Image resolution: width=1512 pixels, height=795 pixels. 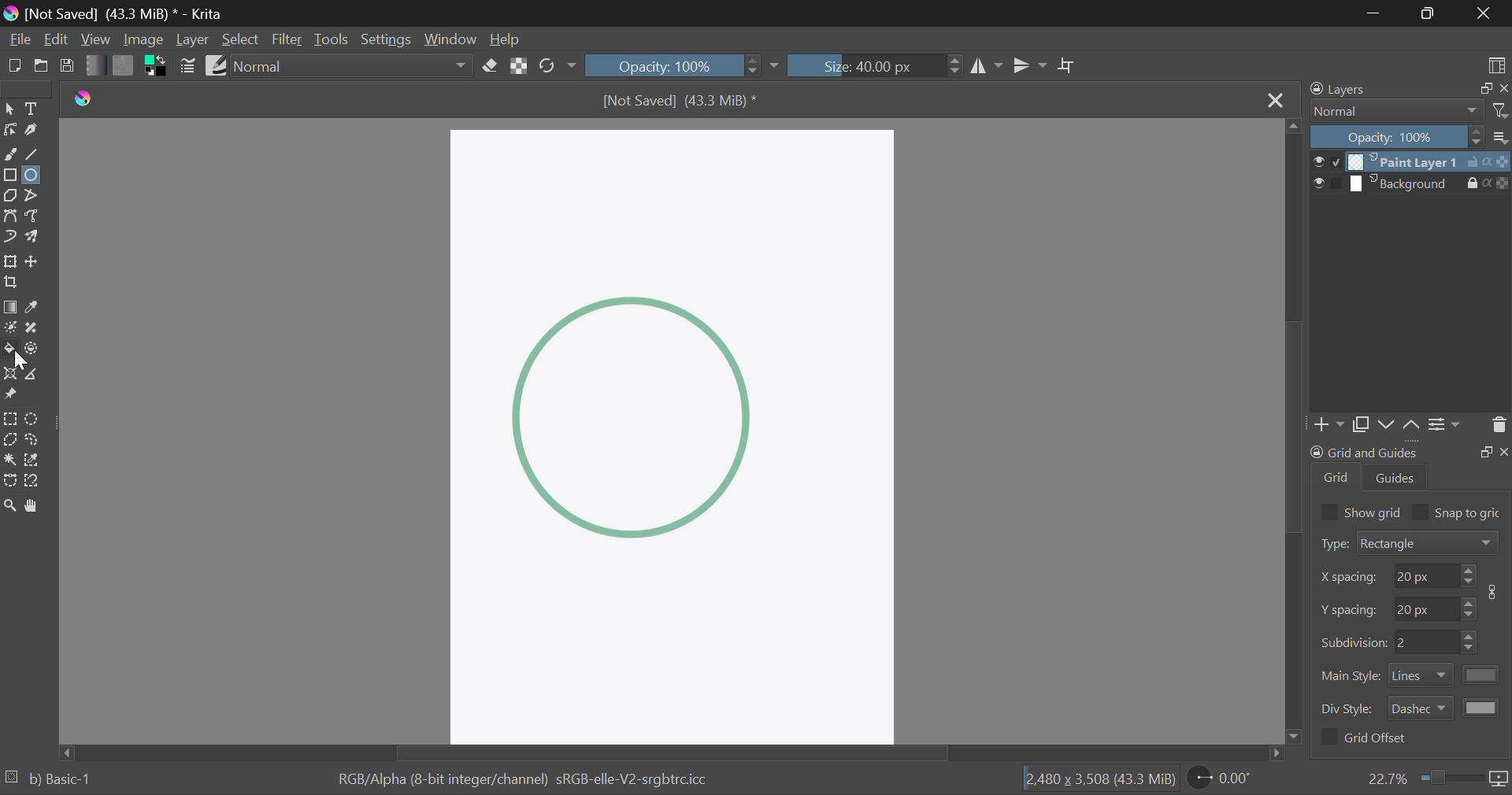 I want to click on File, so click(x=19, y=42).